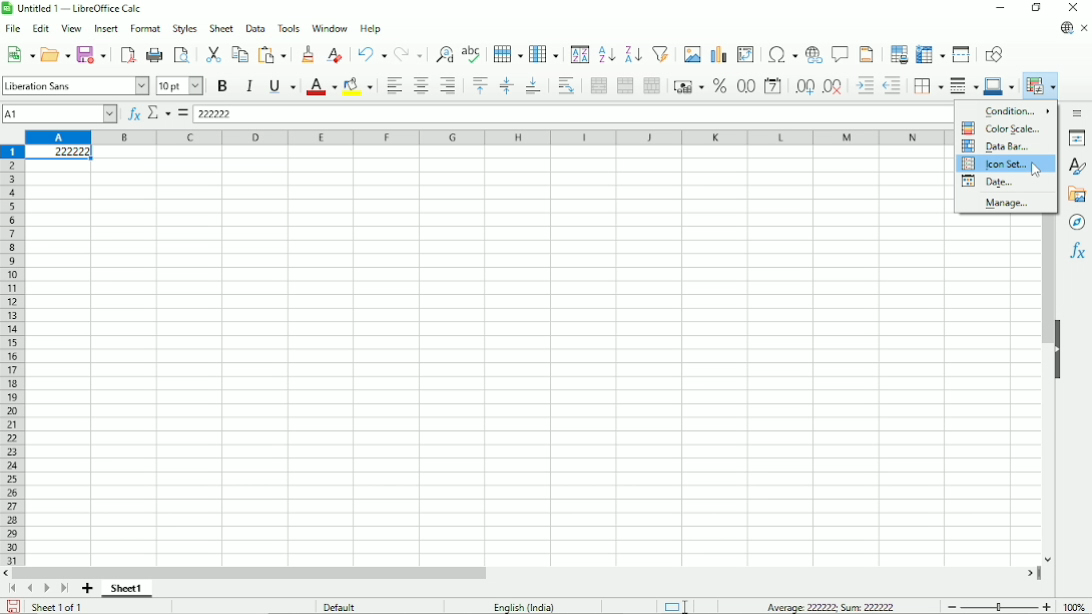 The height and width of the screenshot is (614, 1092). Describe the element at coordinates (183, 113) in the screenshot. I see `Formula` at that location.